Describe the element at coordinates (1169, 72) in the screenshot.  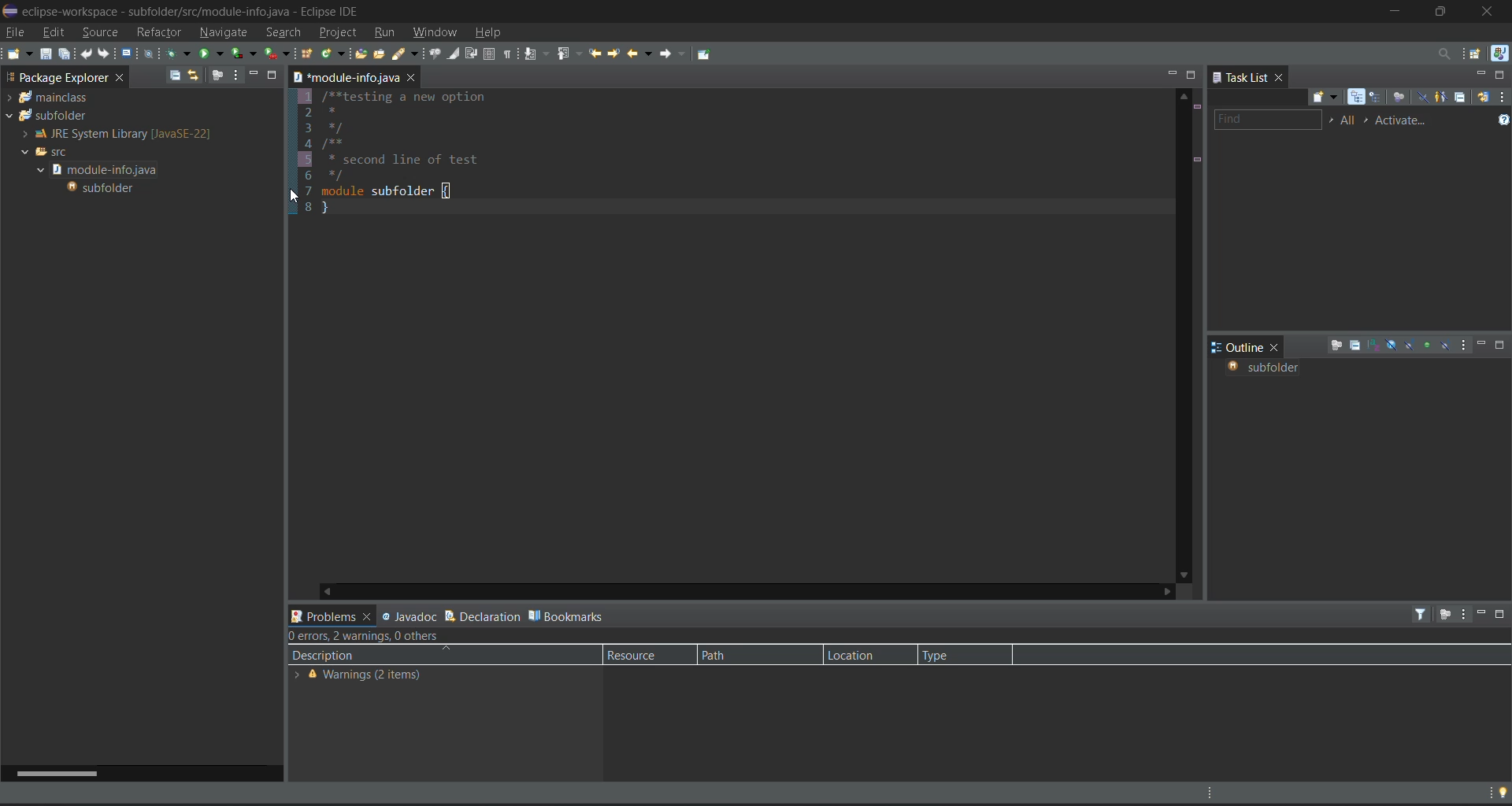
I see `minimize` at that location.